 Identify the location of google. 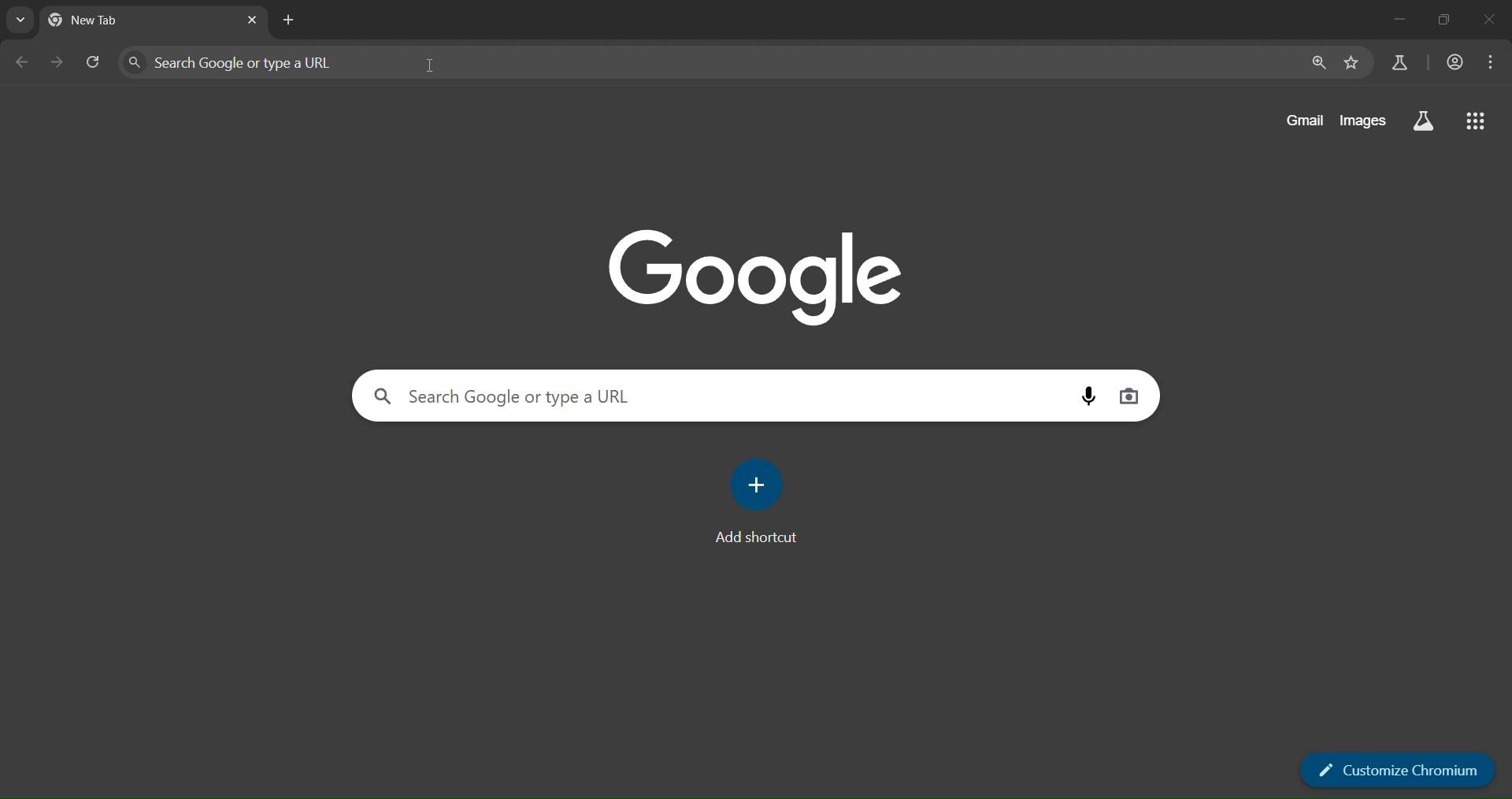
(754, 277).